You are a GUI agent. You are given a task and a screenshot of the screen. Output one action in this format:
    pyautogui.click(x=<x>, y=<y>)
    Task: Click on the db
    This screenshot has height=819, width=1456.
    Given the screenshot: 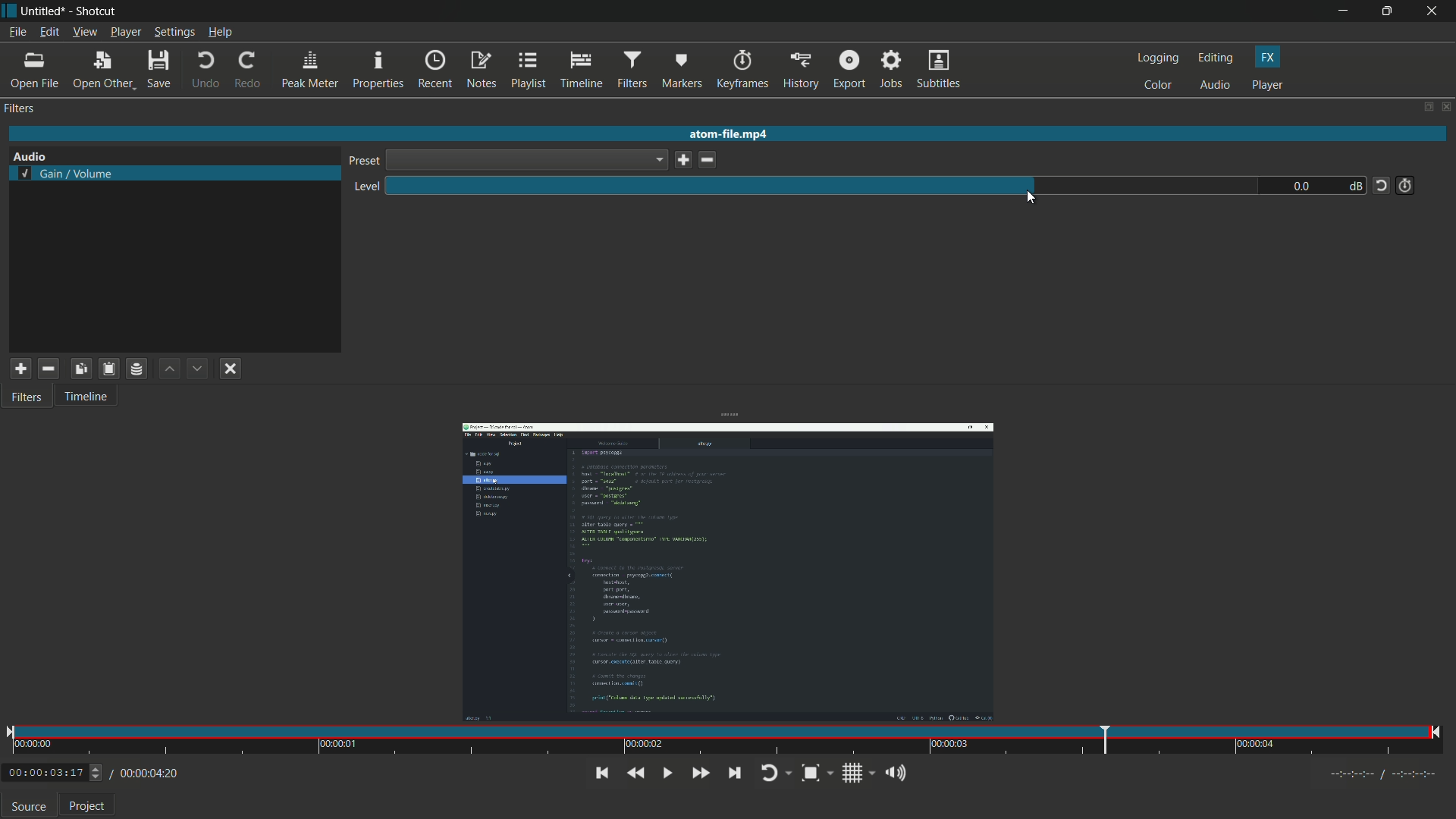 What is the action you would take?
    pyautogui.click(x=1354, y=186)
    